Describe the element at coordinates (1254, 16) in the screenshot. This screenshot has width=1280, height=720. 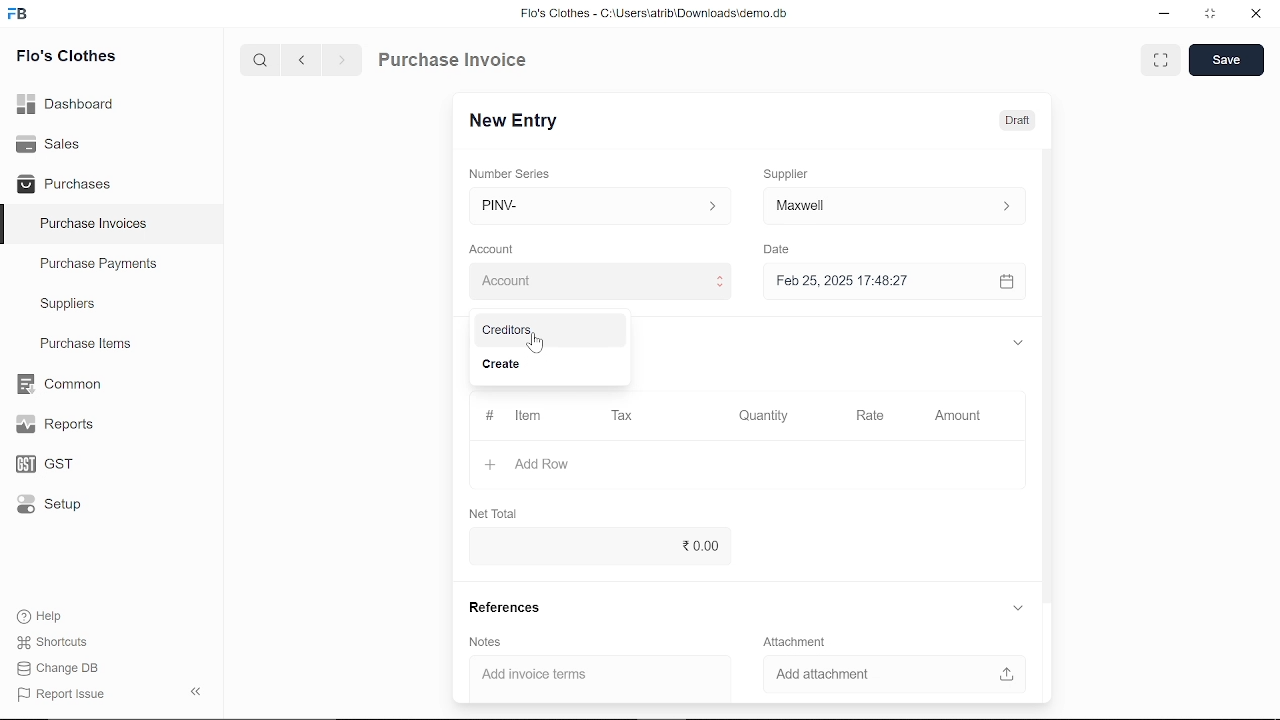
I see `close` at that location.